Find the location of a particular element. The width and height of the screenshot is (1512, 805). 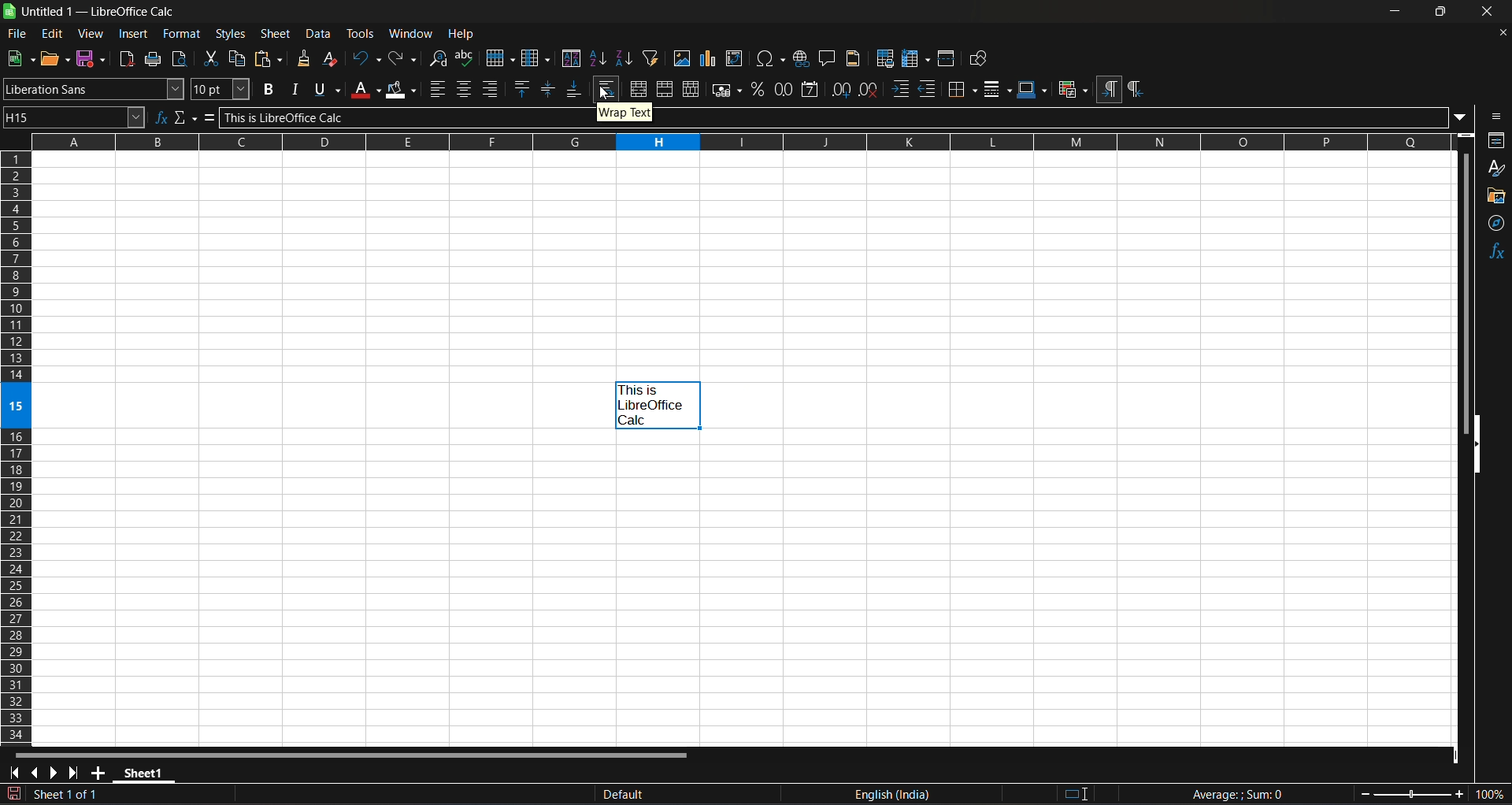

zoom factor is located at coordinates (1433, 793).